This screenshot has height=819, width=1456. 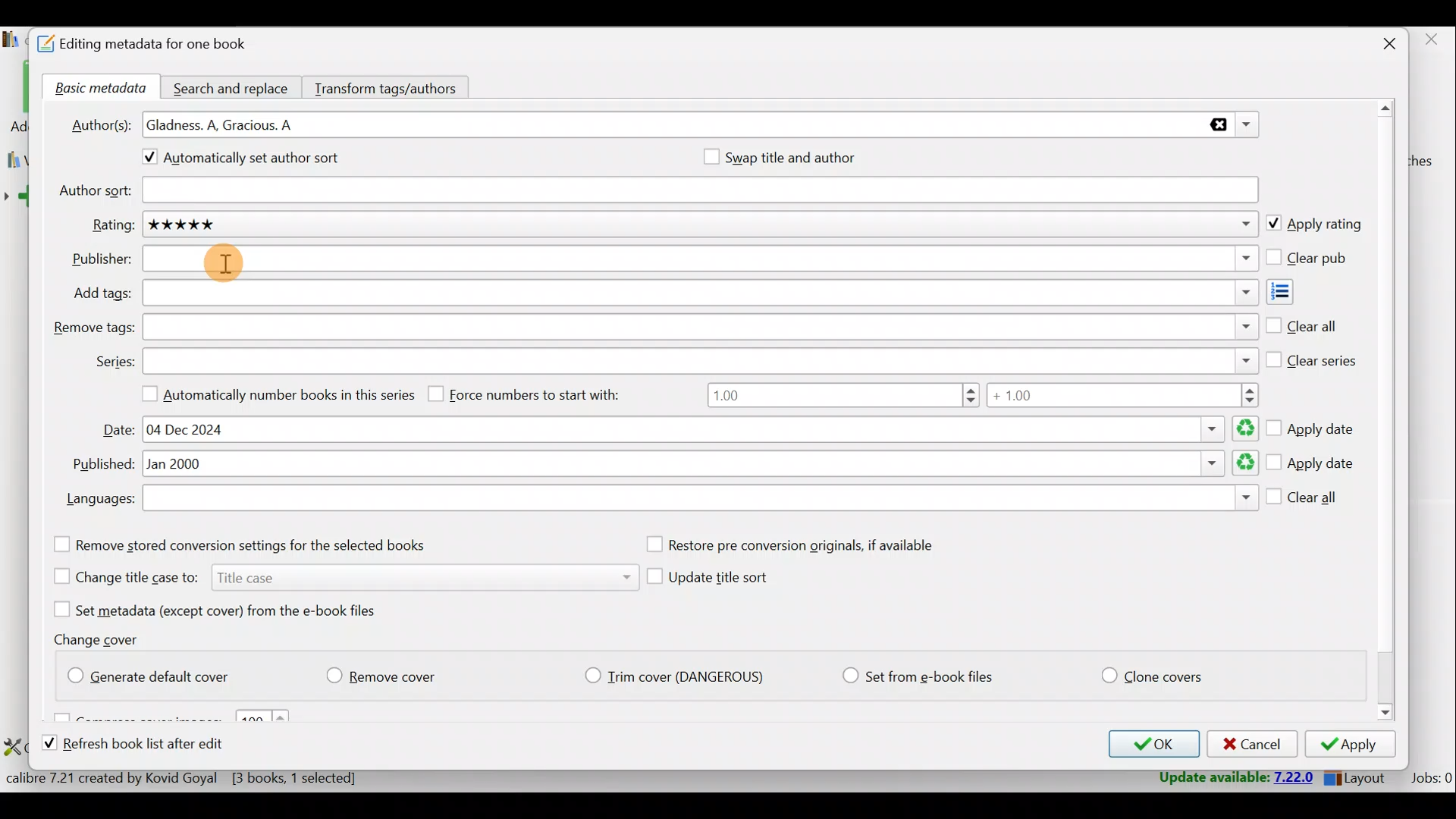 I want to click on Series, so click(x=701, y=359).